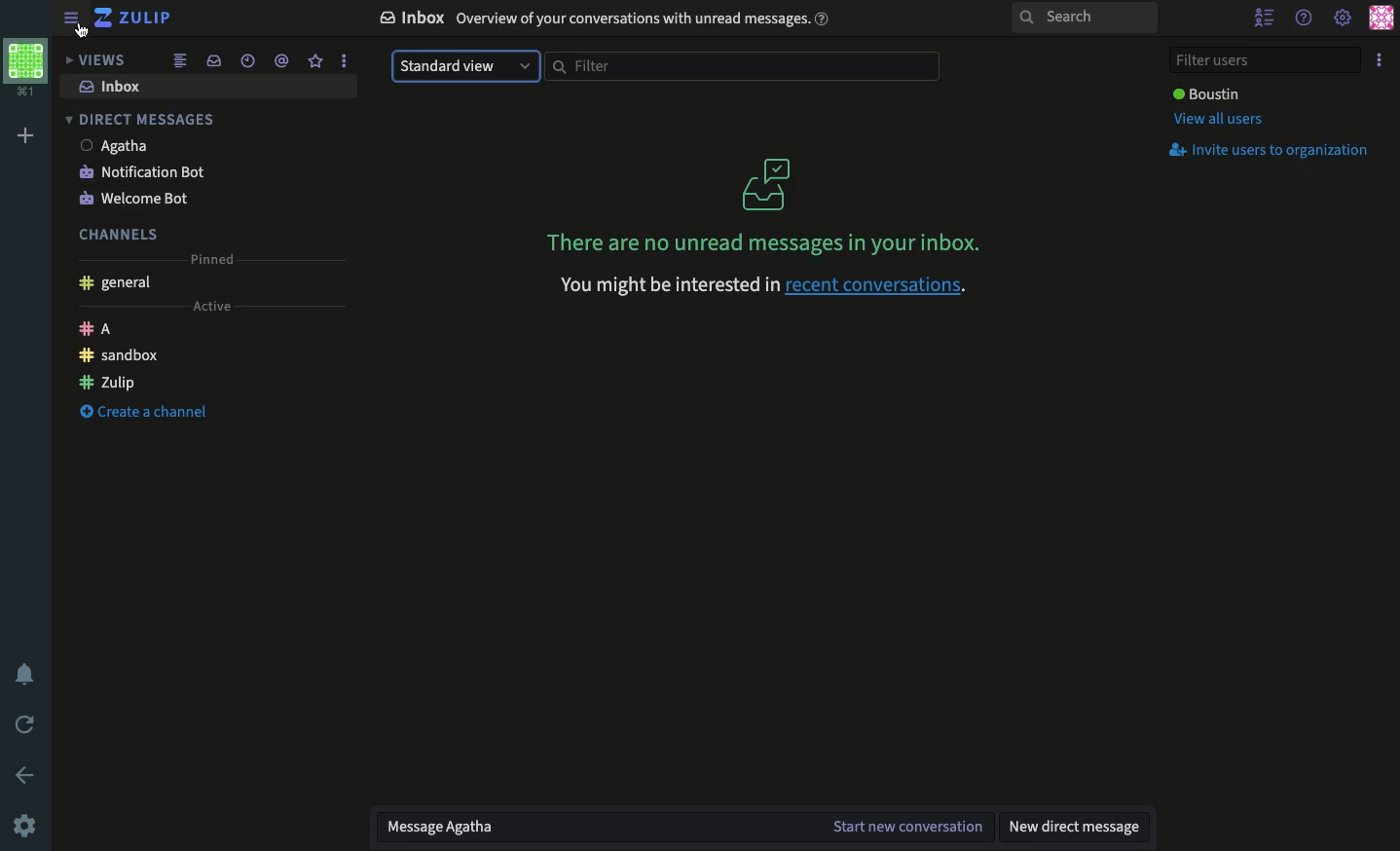 Image resolution: width=1400 pixels, height=851 pixels. I want to click on Pinned, so click(213, 260).